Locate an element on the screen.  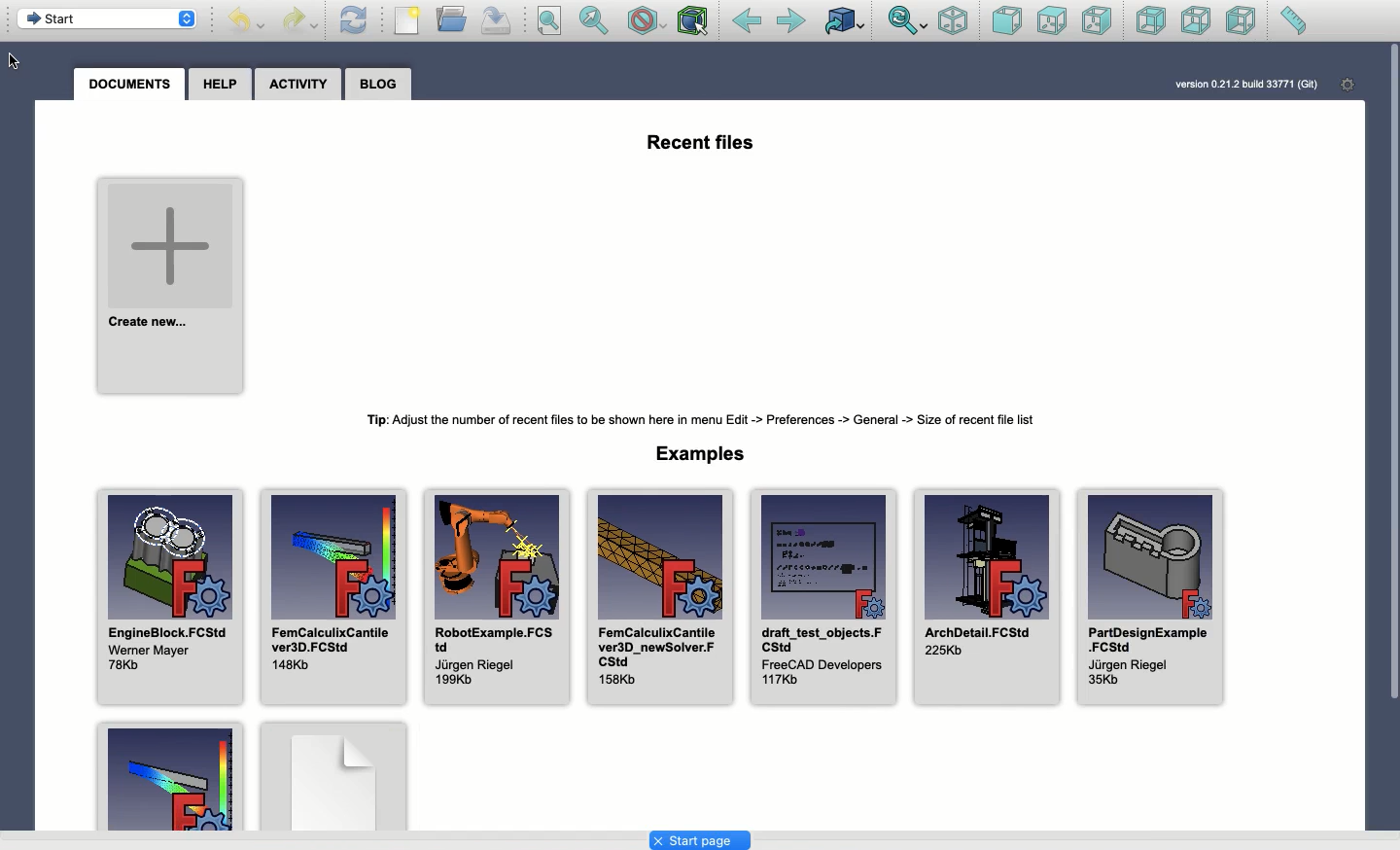
Help is located at coordinates (222, 85).